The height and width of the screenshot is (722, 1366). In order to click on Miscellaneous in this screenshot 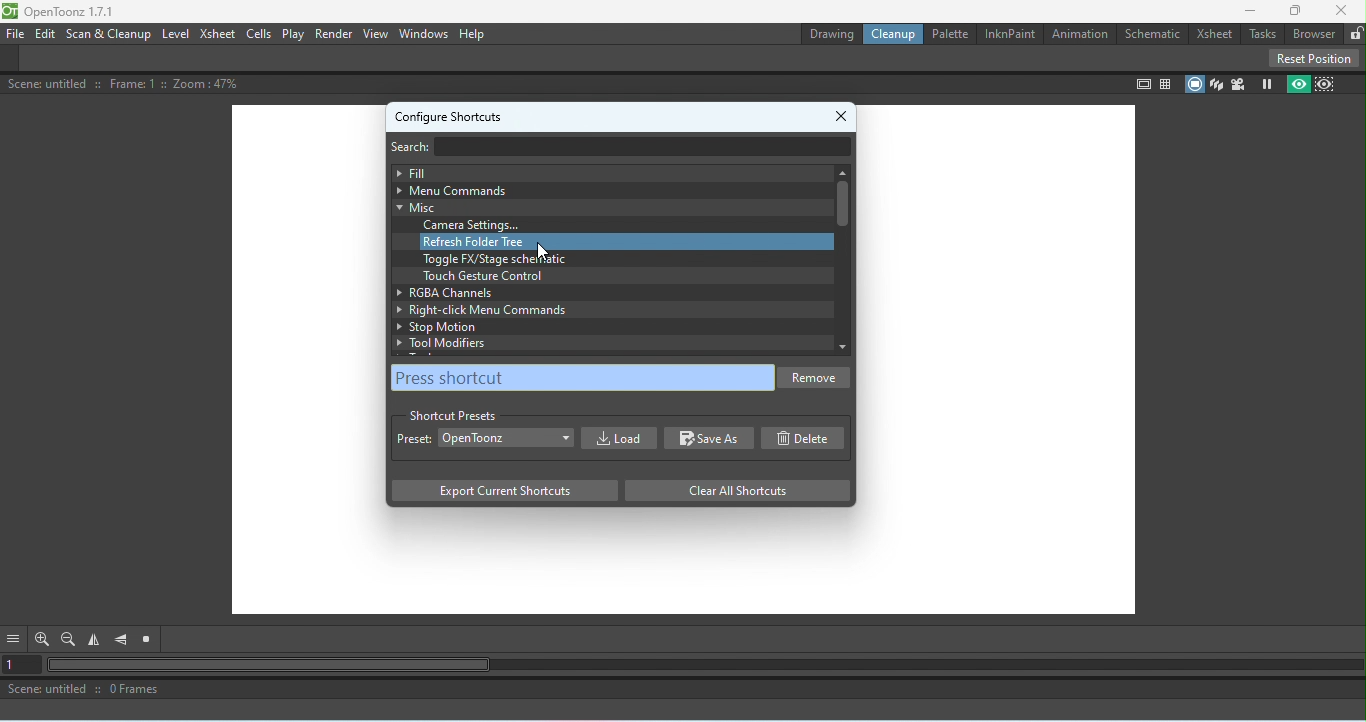, I will do `click(603, 207)`.